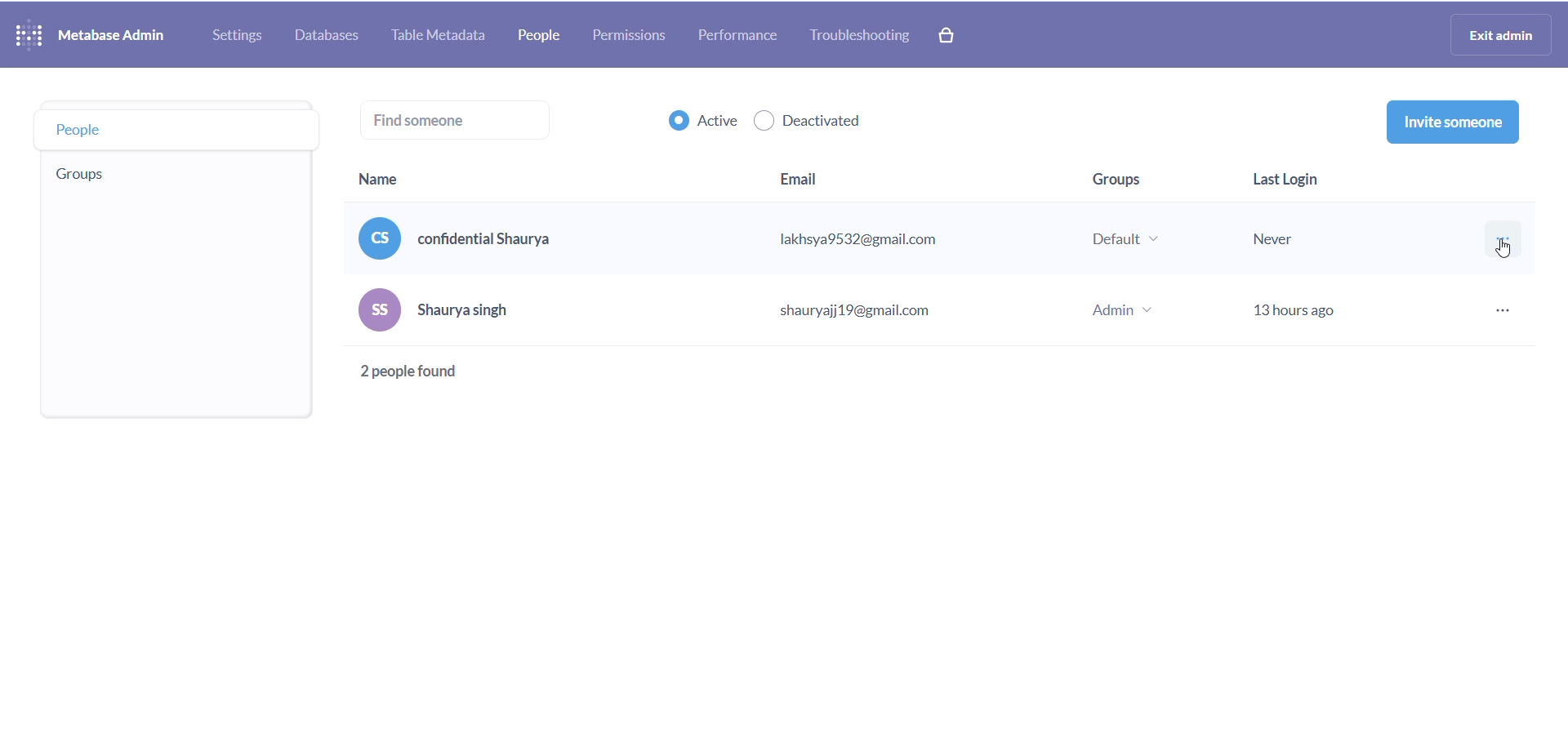 The width and height of the screenshot is (1568, 743). What do you see at coordinates (1321, 310) in the screenshot?
I see `last login status` at bounding box center [1321, 310].